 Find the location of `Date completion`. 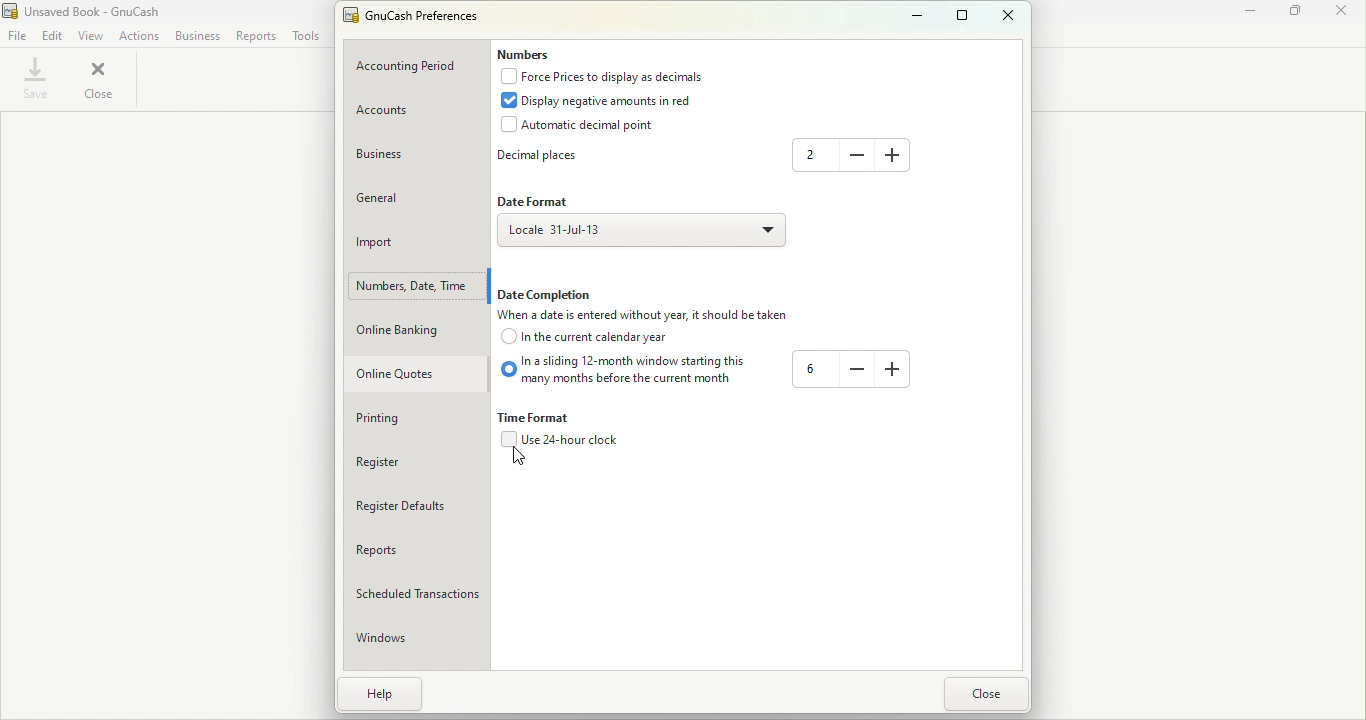

Date completion is located at coordinates (545, 294).